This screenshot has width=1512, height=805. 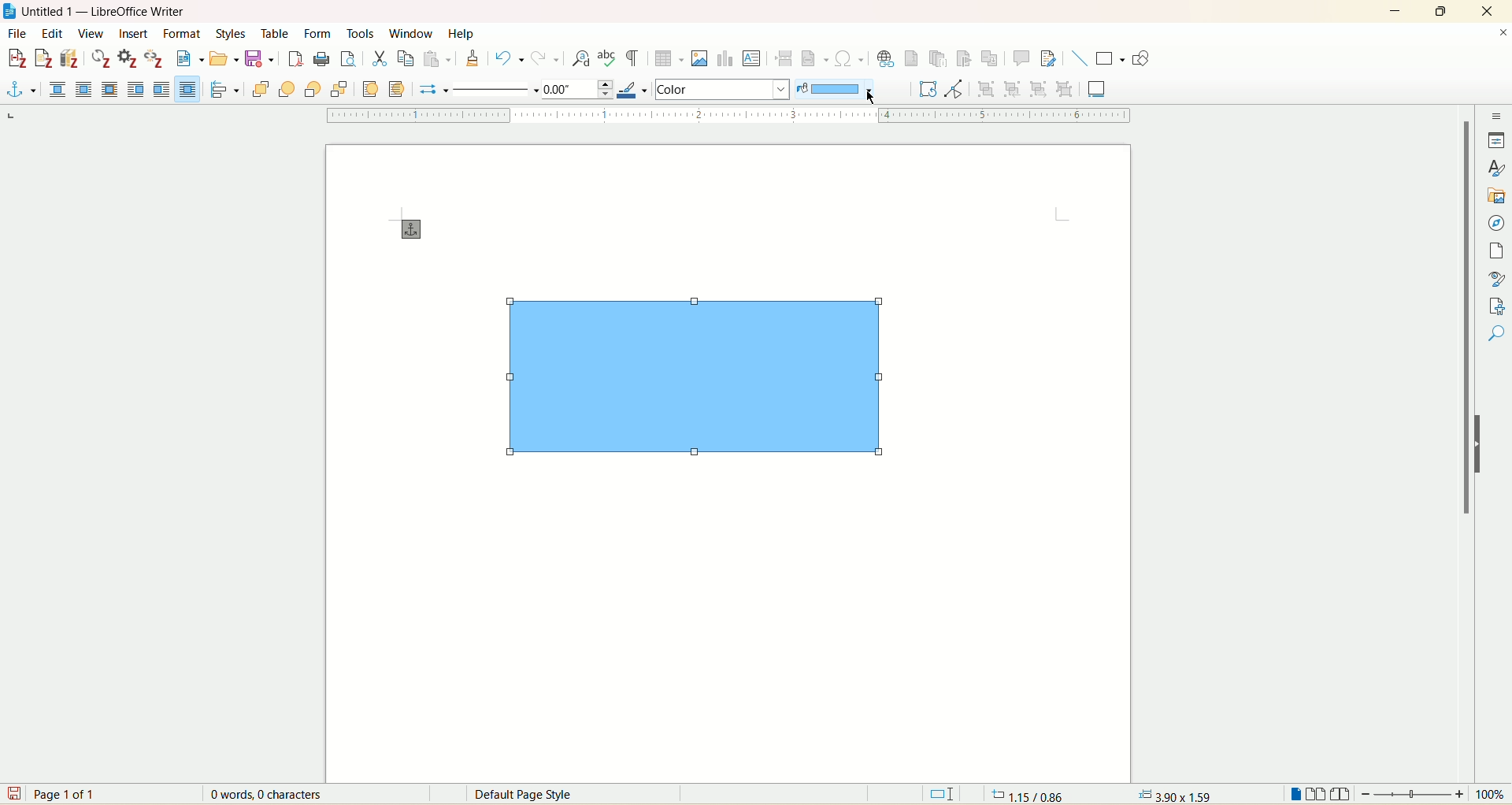 What do you see at coordinates (885, 59) in the screenshot?
I see `insert hyperlink` at bounding box center [885, 59].